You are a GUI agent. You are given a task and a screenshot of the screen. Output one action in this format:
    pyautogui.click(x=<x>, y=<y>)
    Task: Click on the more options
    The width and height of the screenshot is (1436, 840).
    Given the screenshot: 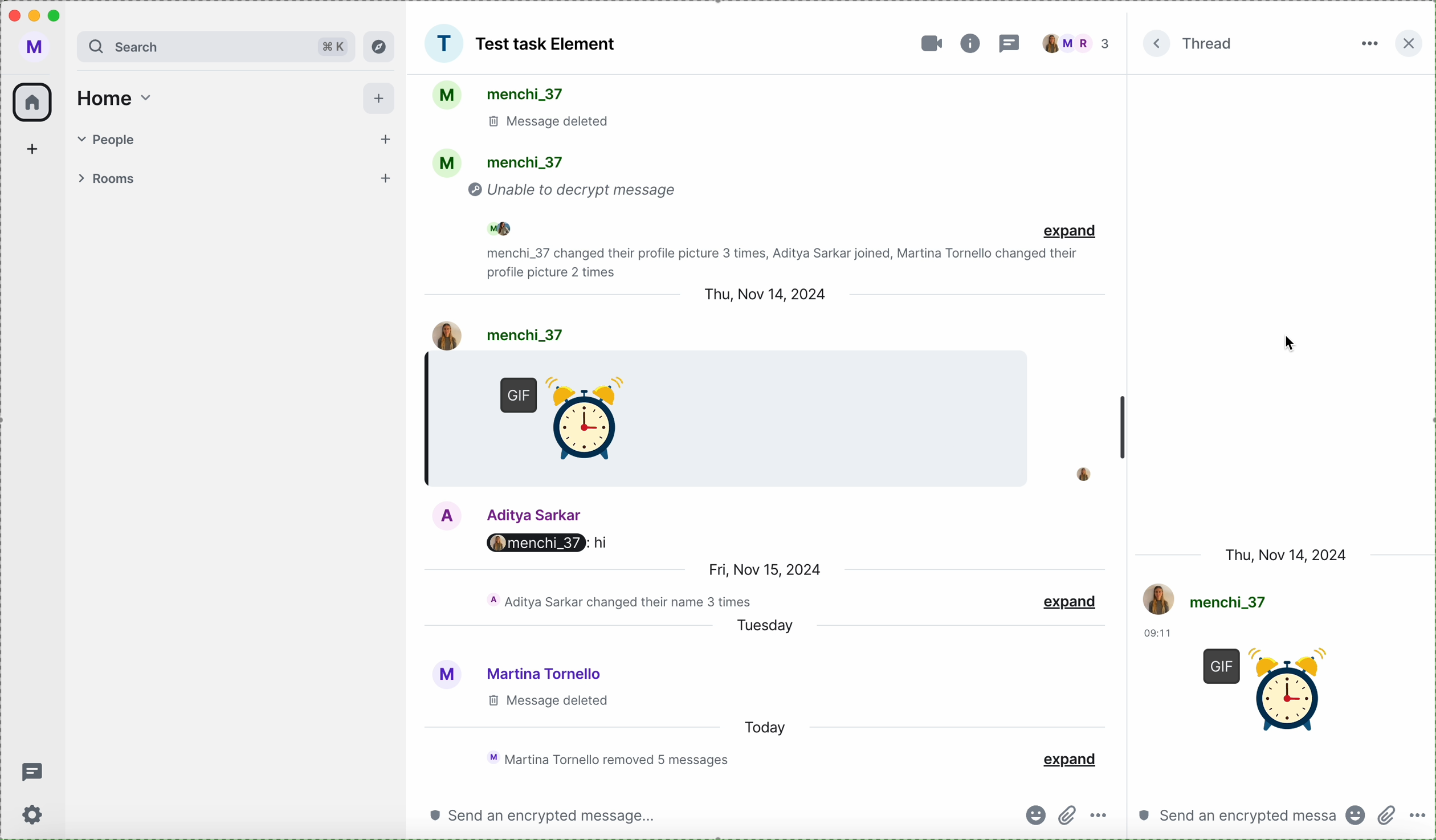 What is the action you would take?
    pyautogui.click(x=1102, y=817)
    